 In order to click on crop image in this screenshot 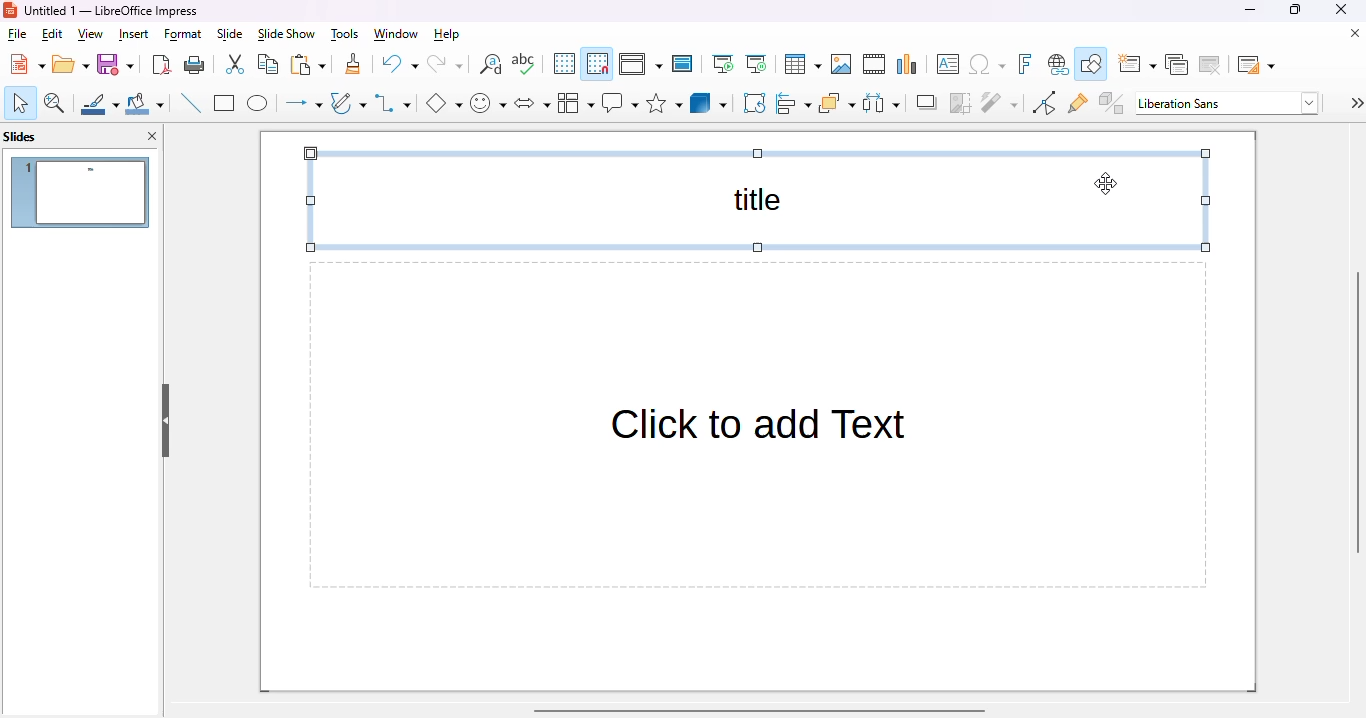, I will do `click(960, 104)`.